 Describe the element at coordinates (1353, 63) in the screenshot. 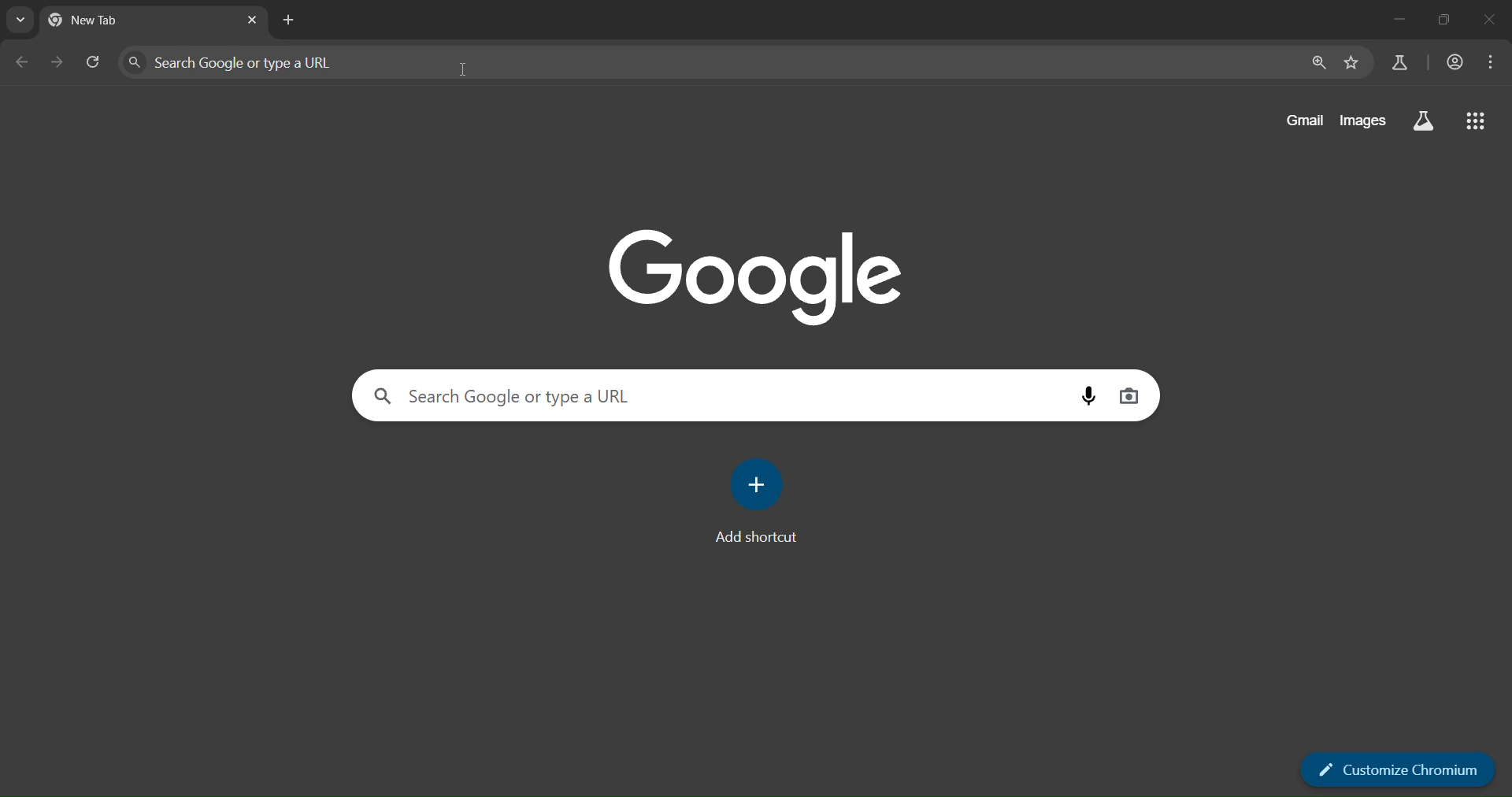

I see `bookmark page` at that location.